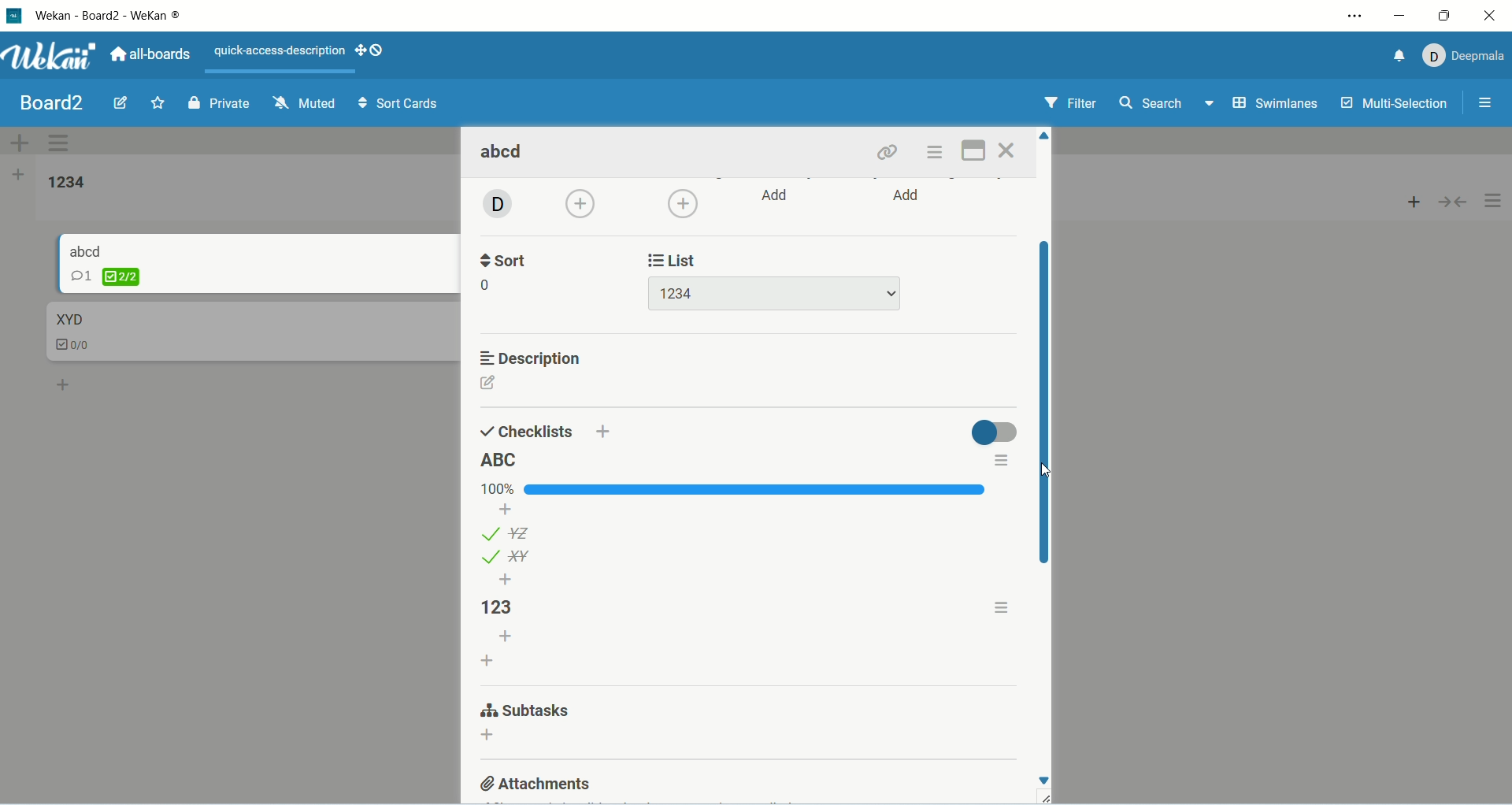 This screenshot has width=1512, height=805. I want to click on add checcklist, so click(489, 659).